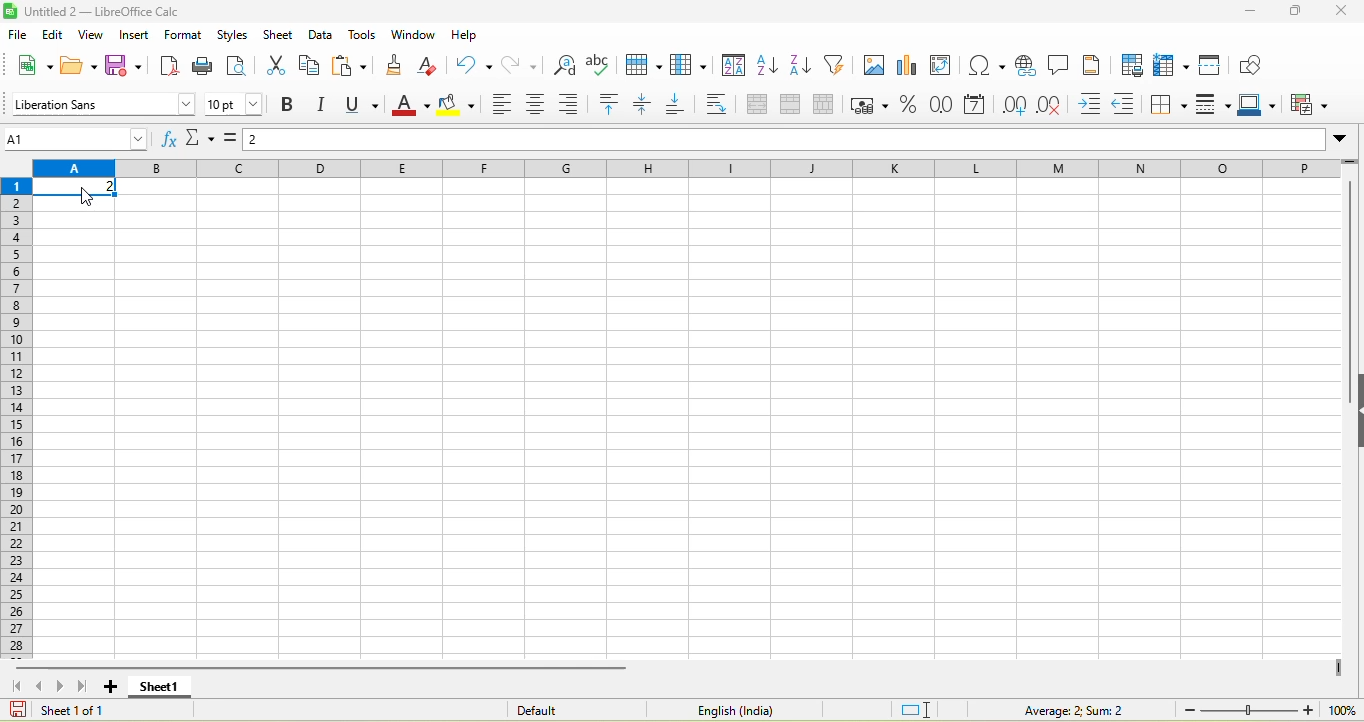 The height and width of the screenshot is (722, 1364). I want to click on sheet 1, so click(163, 686).